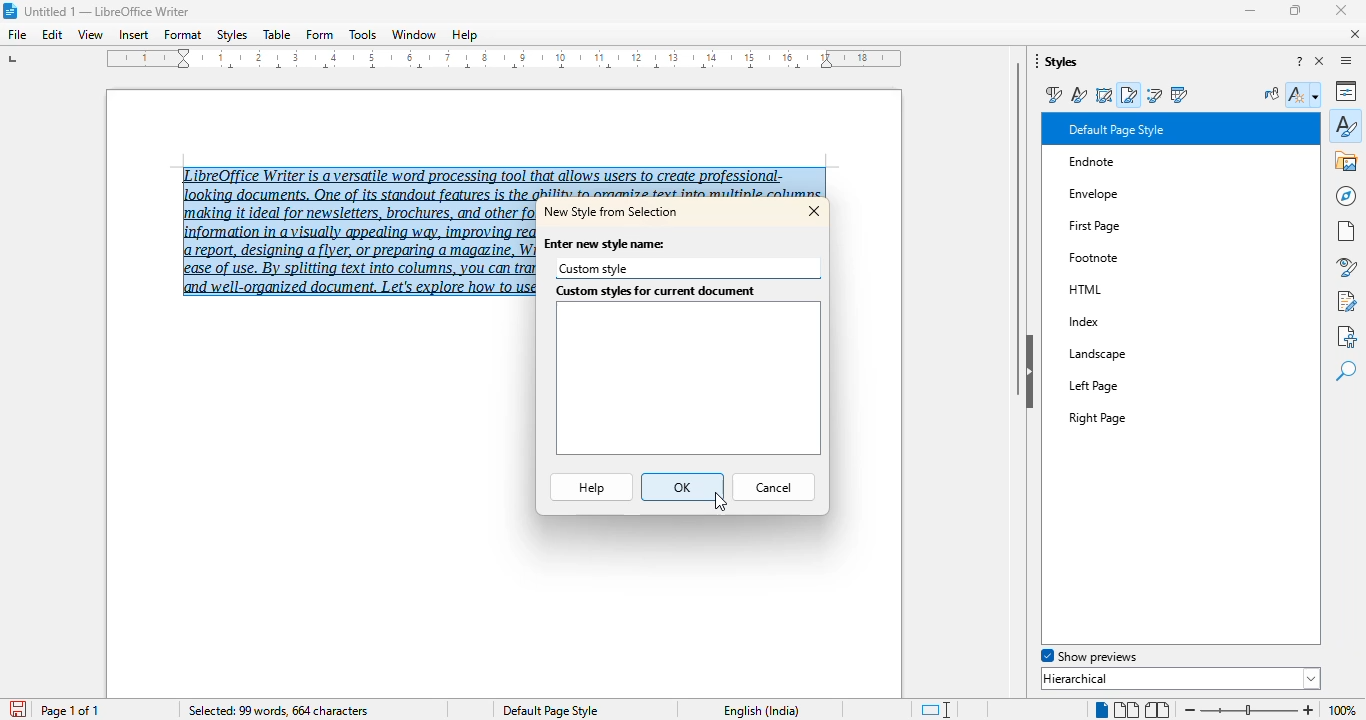 The image size is (1366, 720). What do you see at coordinates (1119, 353) in the screenshot?
I see ` Landscape` at bounding box center [1119, 353].